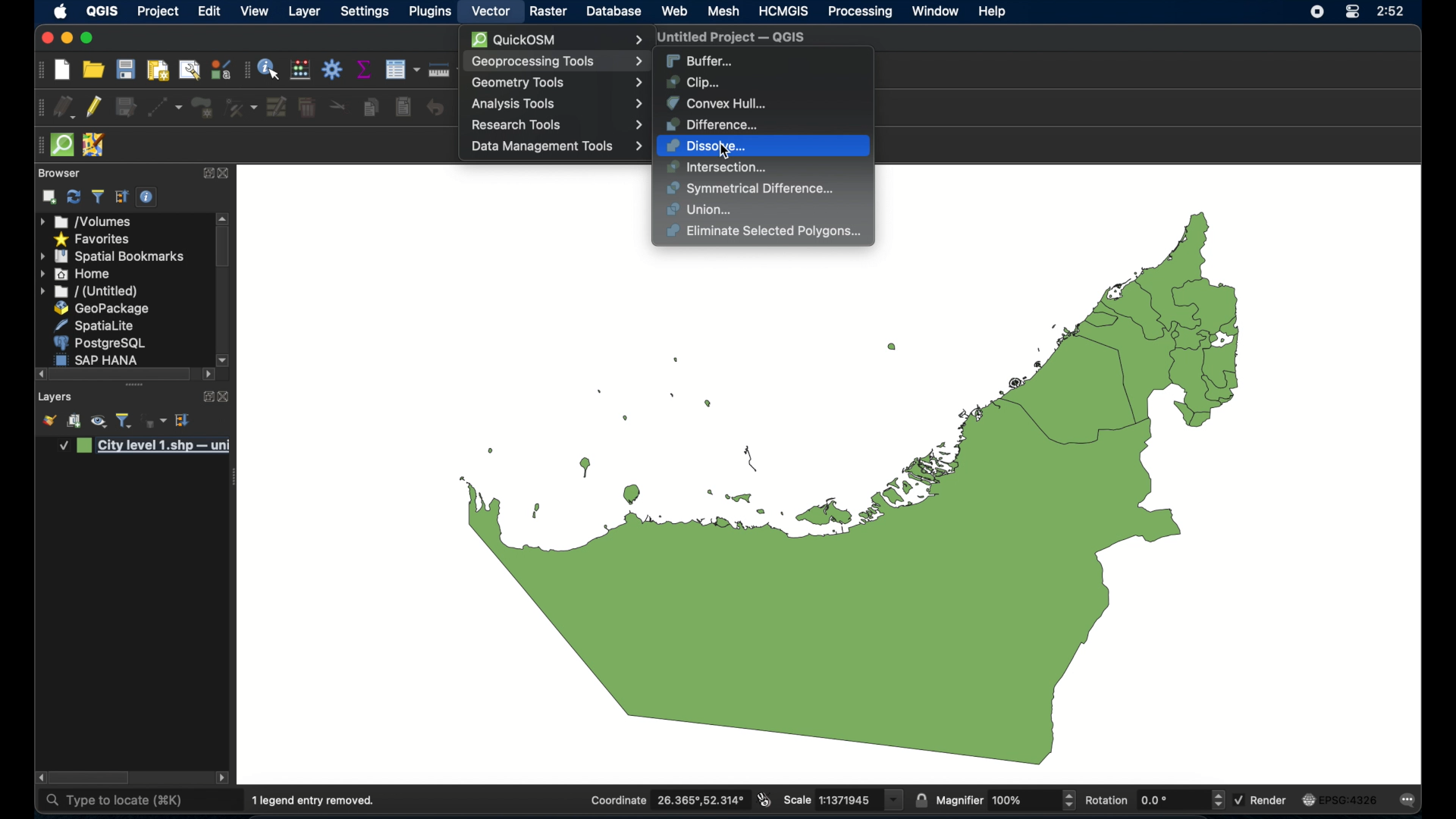  Describe the element at coordinates (402, 69) in the screenshot. I see `open attribute table` at that location.